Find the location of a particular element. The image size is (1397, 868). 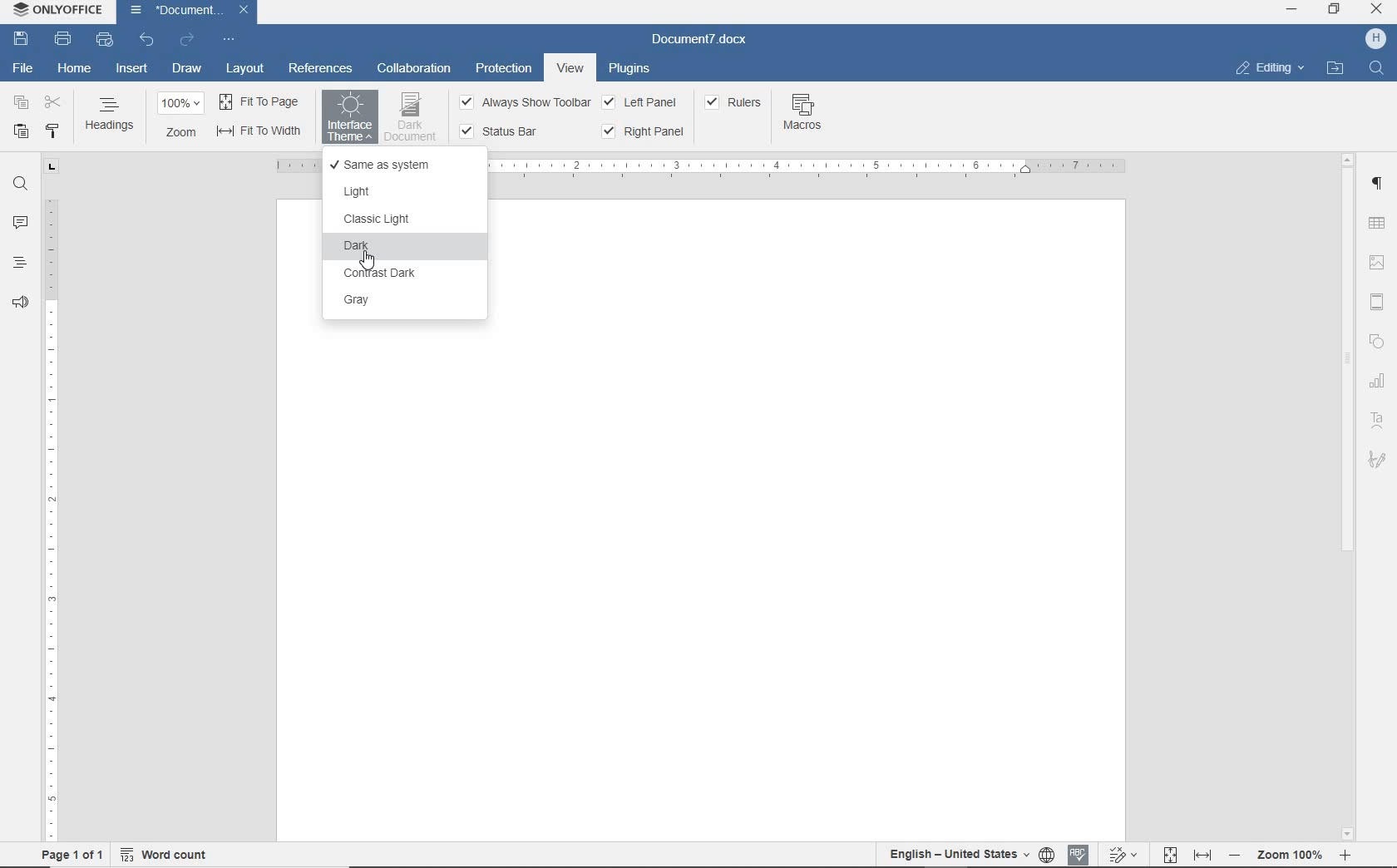

ZOOM is located at coordinates (182, 105).